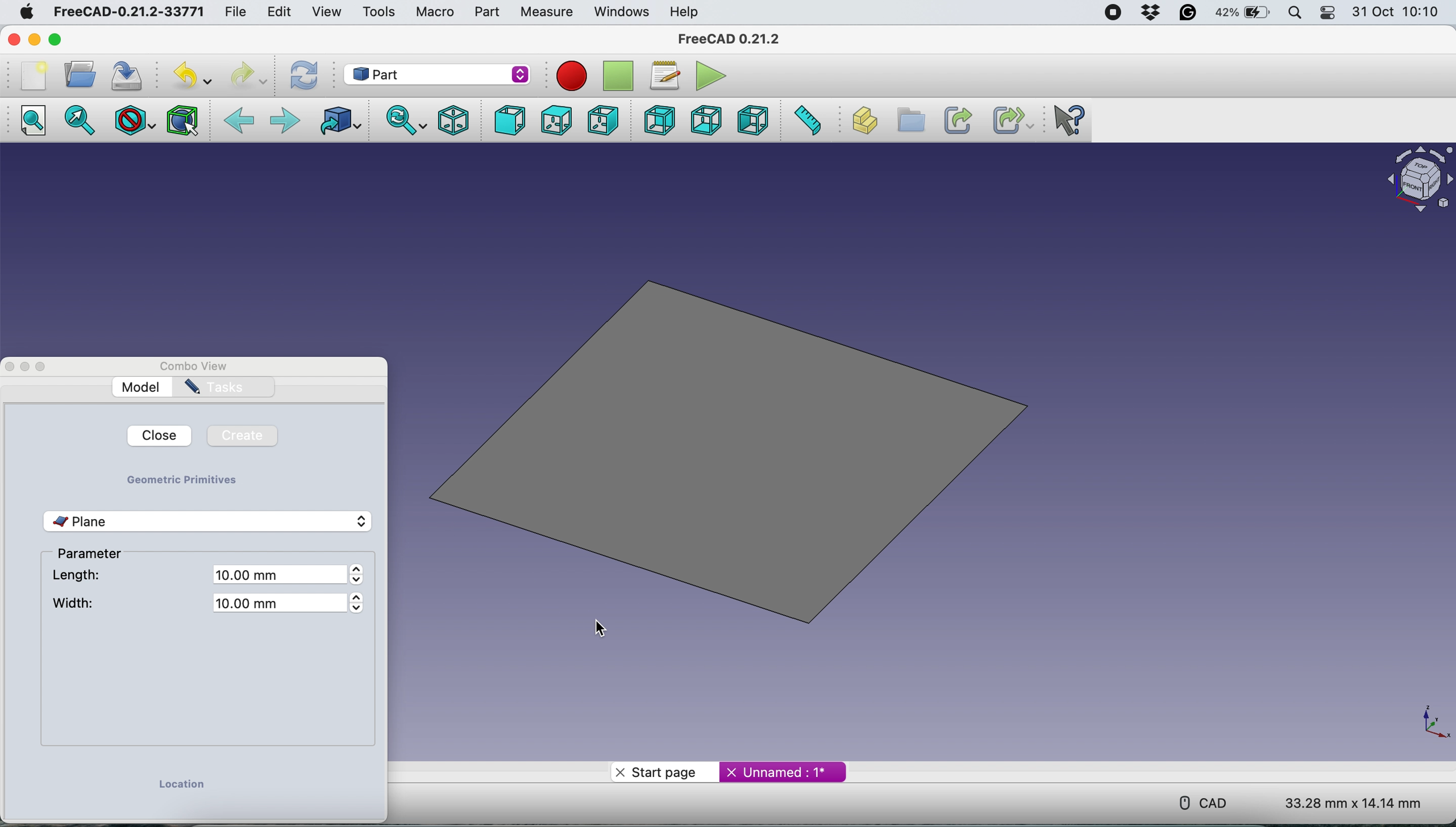 This screenshot has height=827, width=1456. What do you see at coordinates (1327, 12) in the screenshot?
I see `Control Center` at bounding box center [1327, 12].